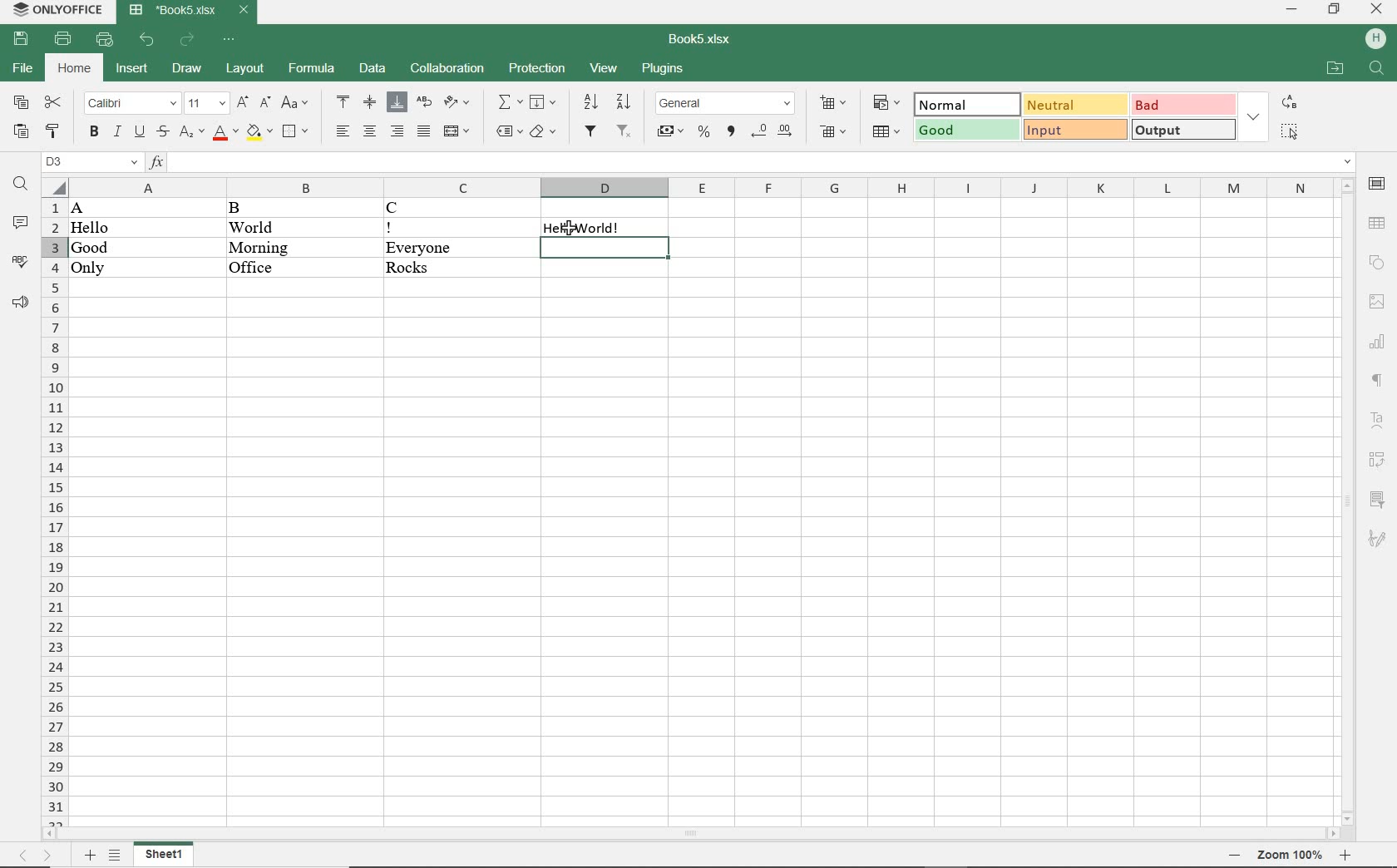  Describe the element at coordinates (22, 103) in the screenshot. I see `COPY` at that location.